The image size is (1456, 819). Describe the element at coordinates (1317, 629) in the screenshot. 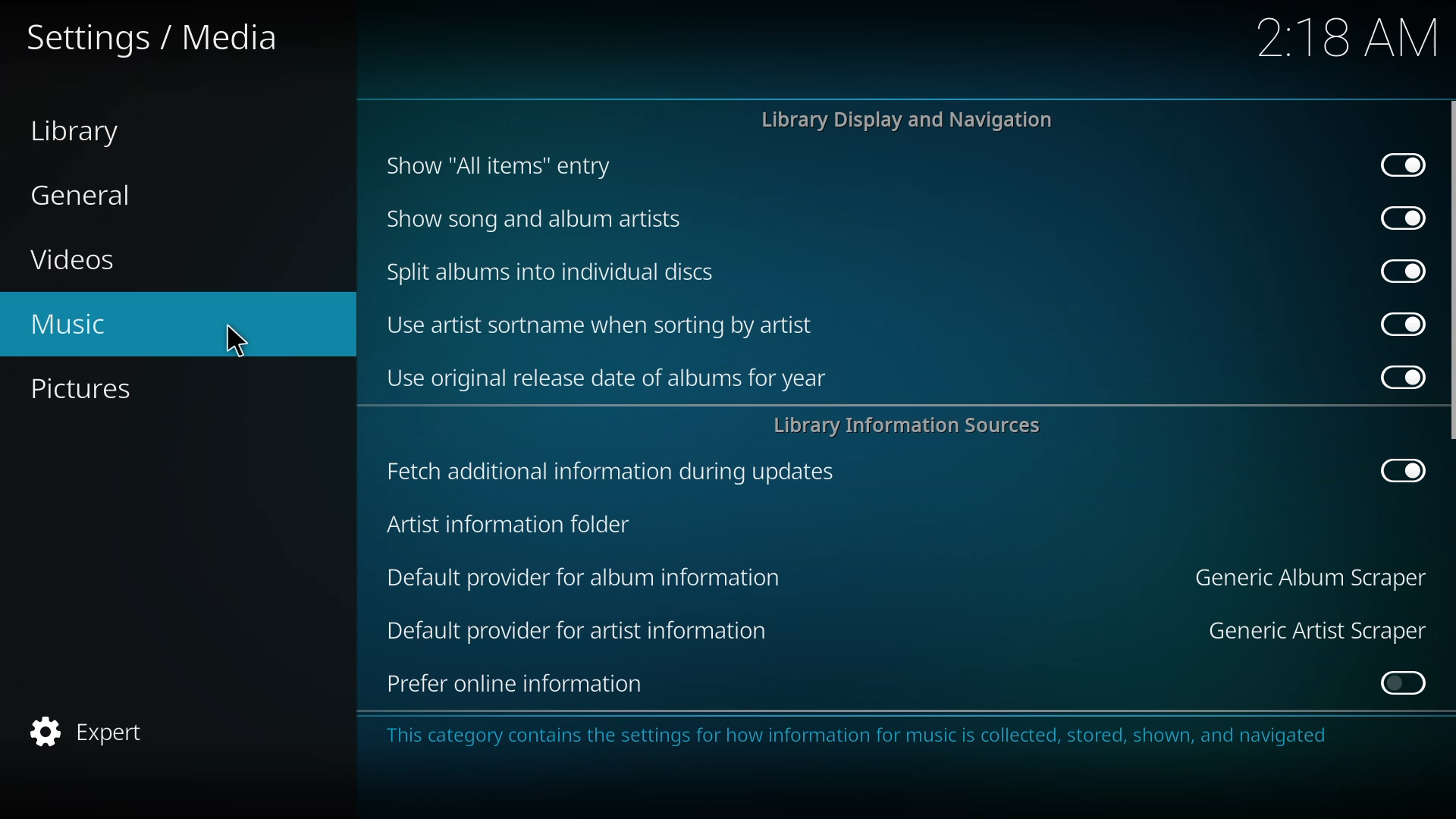

I see `generic` at that location.